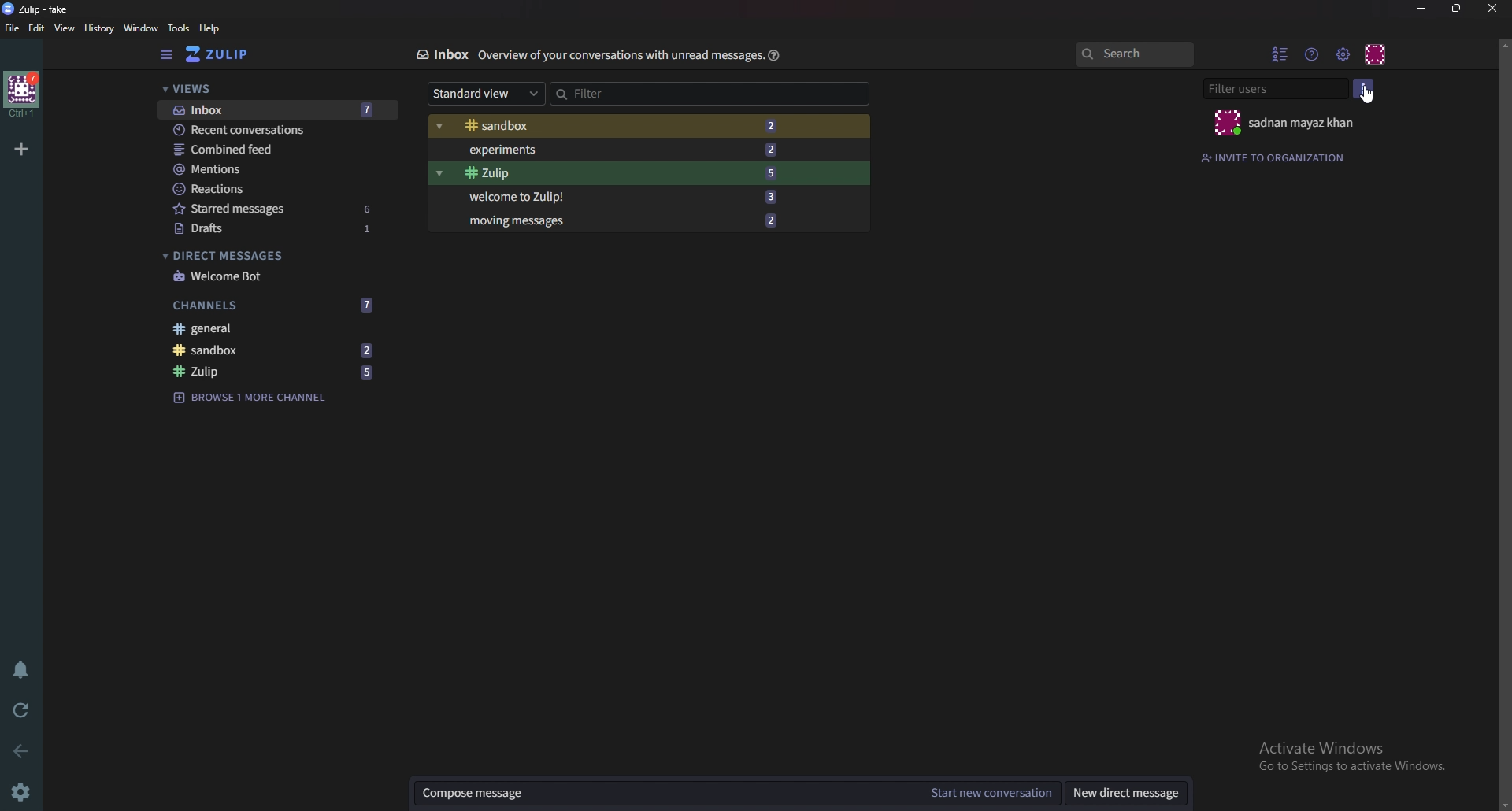  What do you see at coordinates (36, 29) in the screenshot?
I see `edit` at bounding box center [36, 29].